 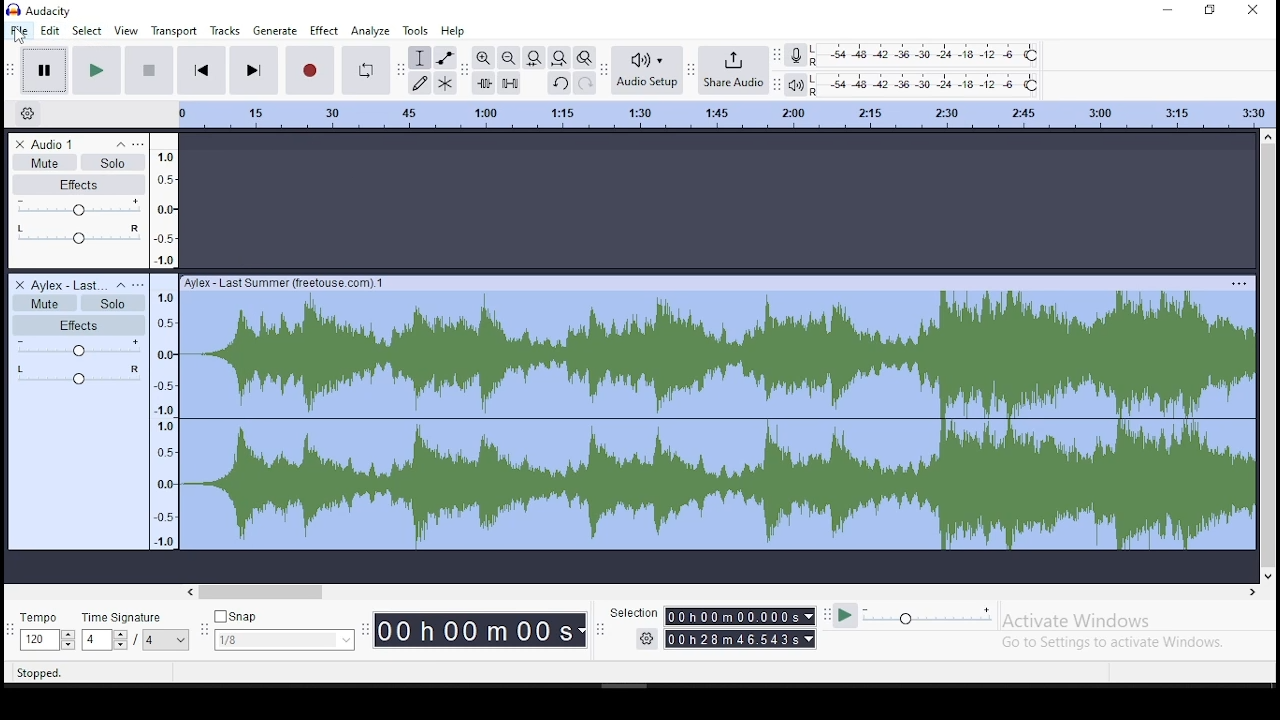 What do you see at coordinates (45, 632) in the screenshot?
I see `tempo` at bounding box center [45, 632].